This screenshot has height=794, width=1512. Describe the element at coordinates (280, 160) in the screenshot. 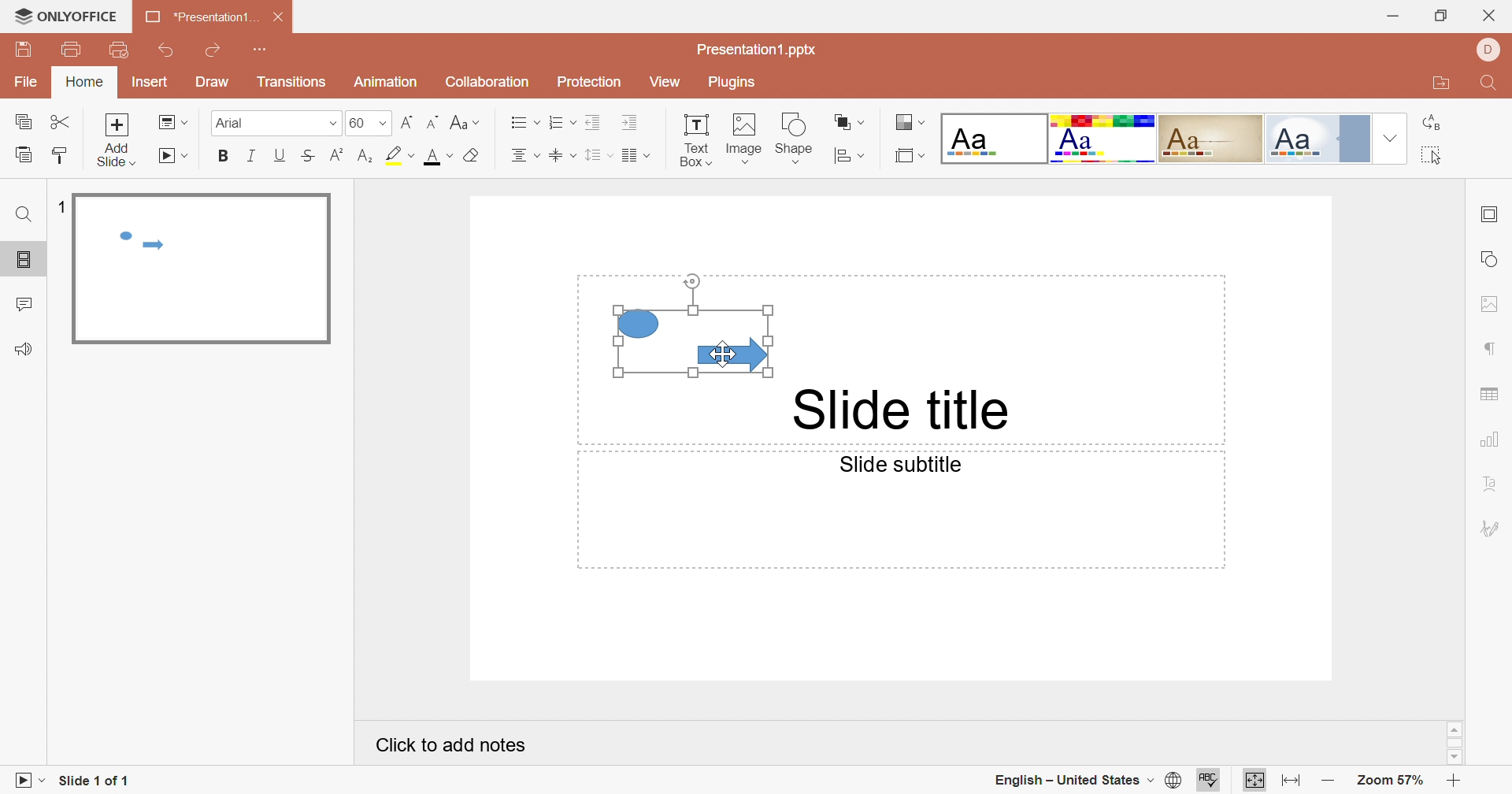

I see `Underline` at that location.